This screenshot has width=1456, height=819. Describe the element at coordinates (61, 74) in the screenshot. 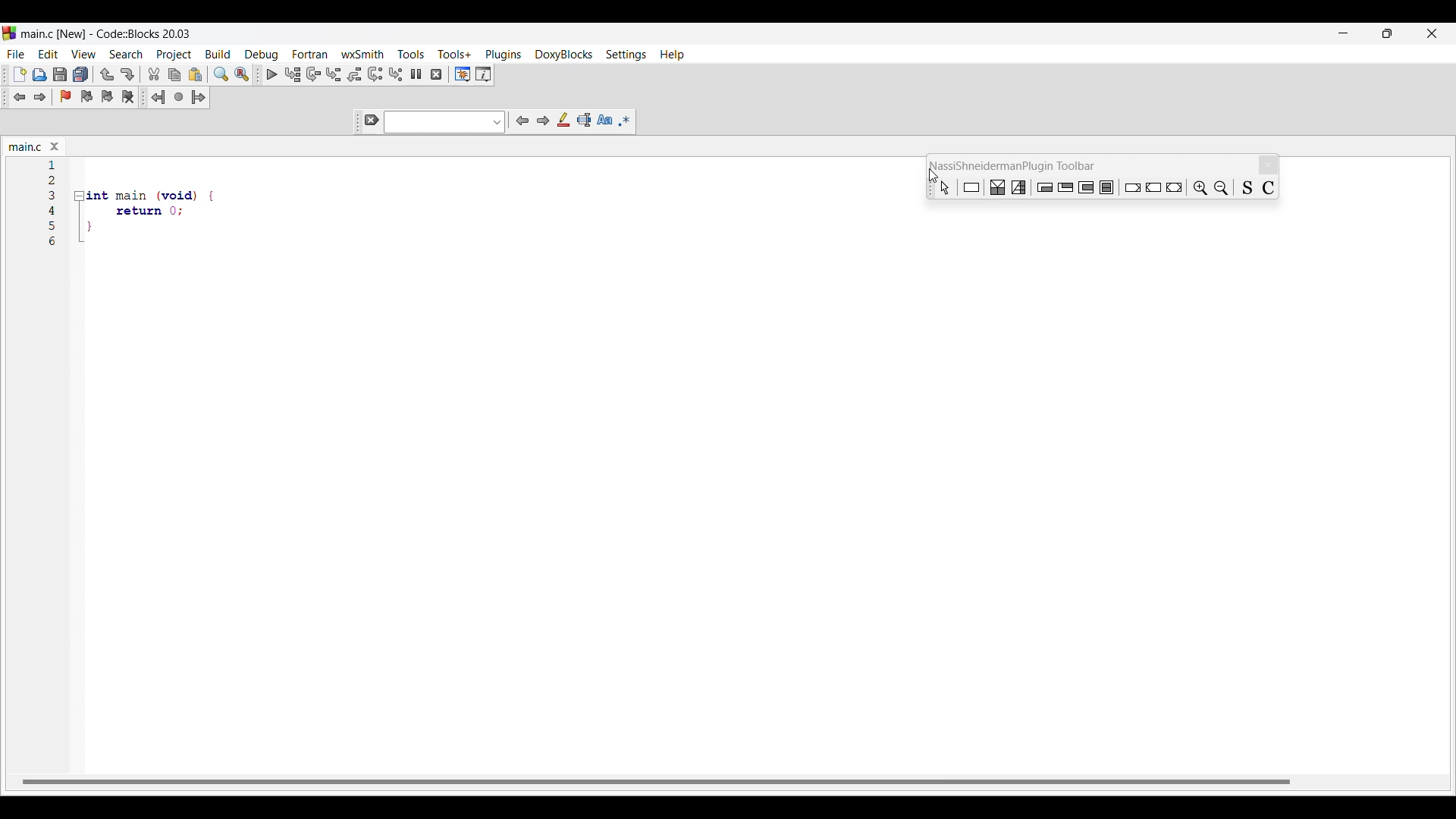

I see `Save` at that location.